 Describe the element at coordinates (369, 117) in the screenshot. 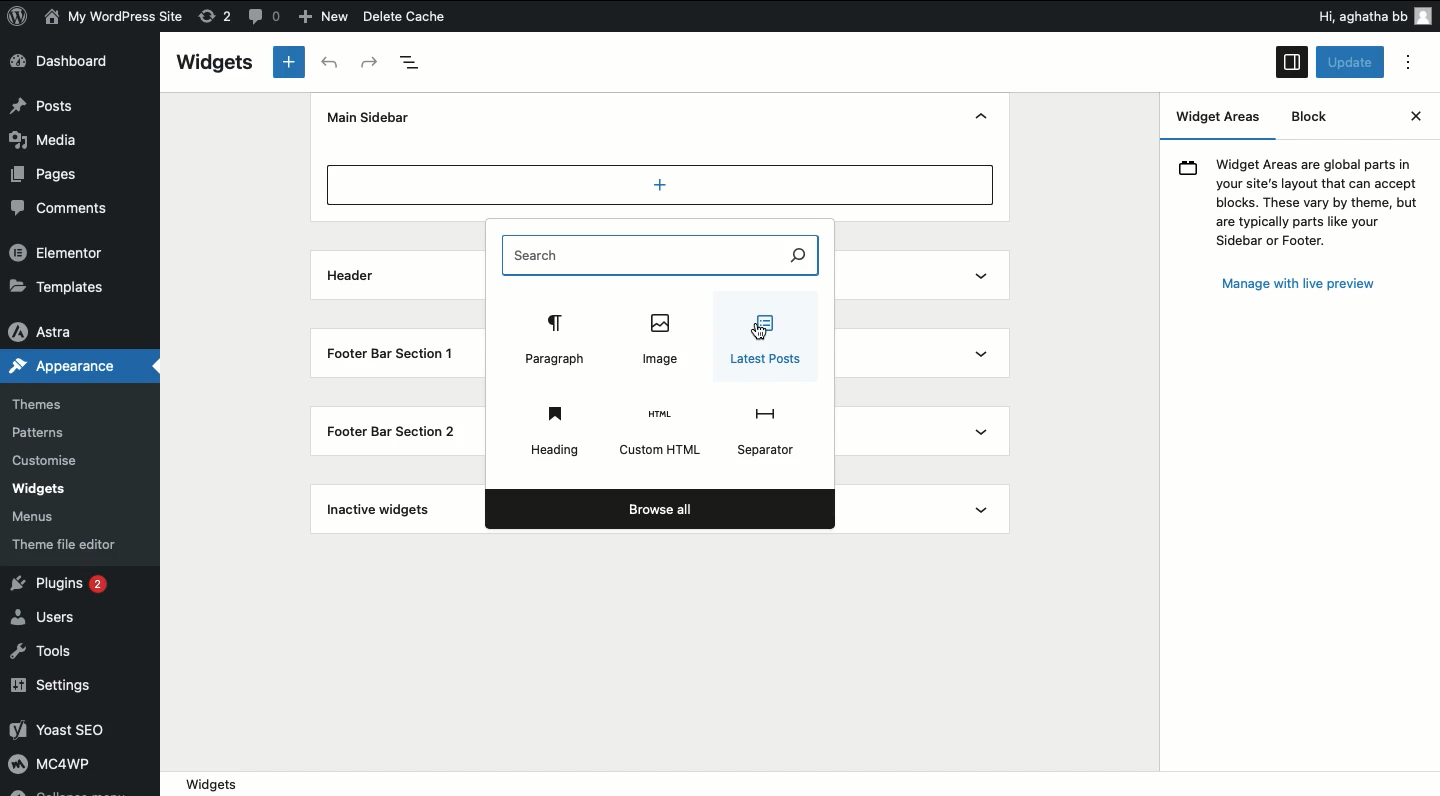

I see `Main sidebar` at that location.